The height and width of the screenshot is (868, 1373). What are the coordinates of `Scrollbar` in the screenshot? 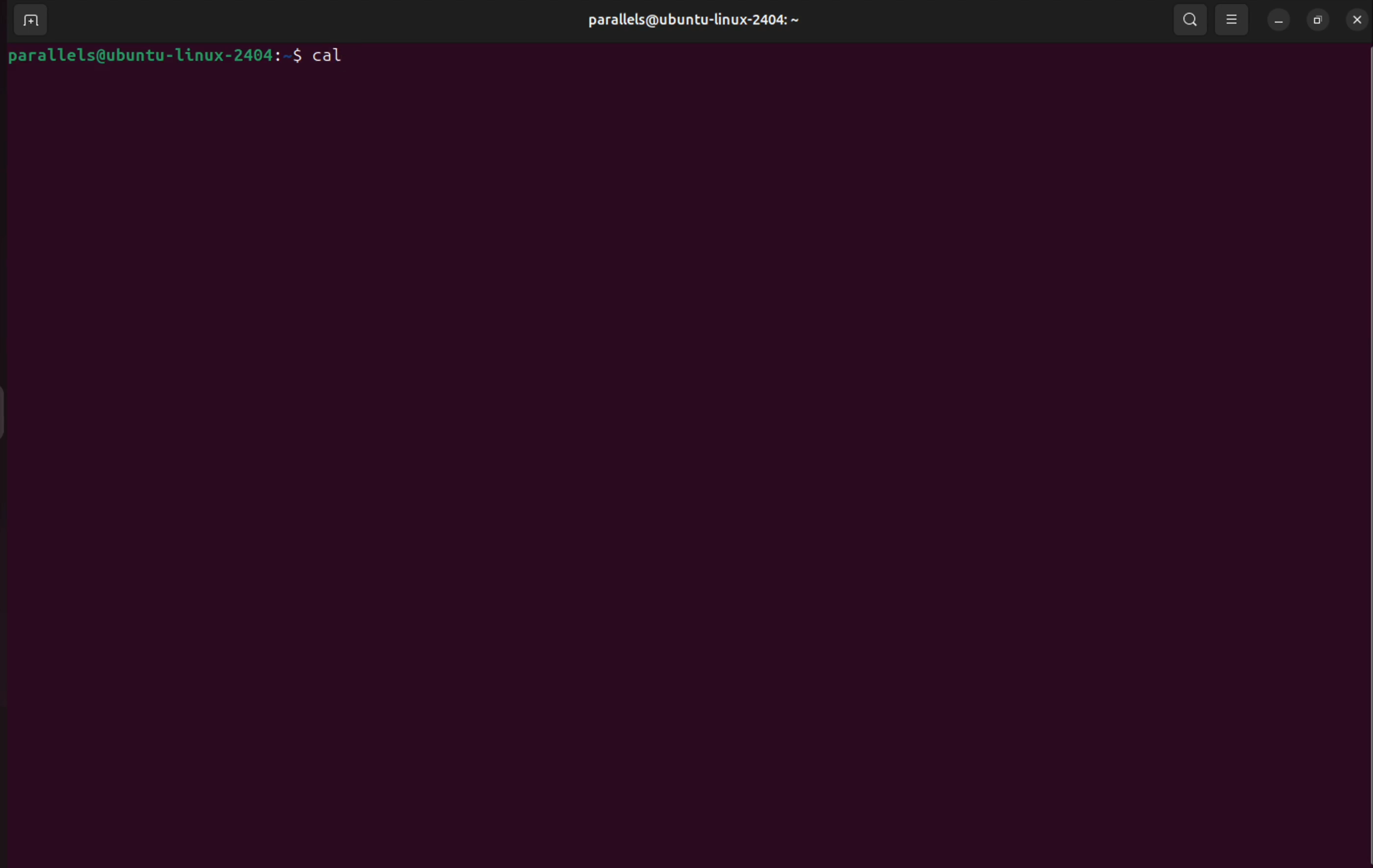 It's located at (1364, 436).